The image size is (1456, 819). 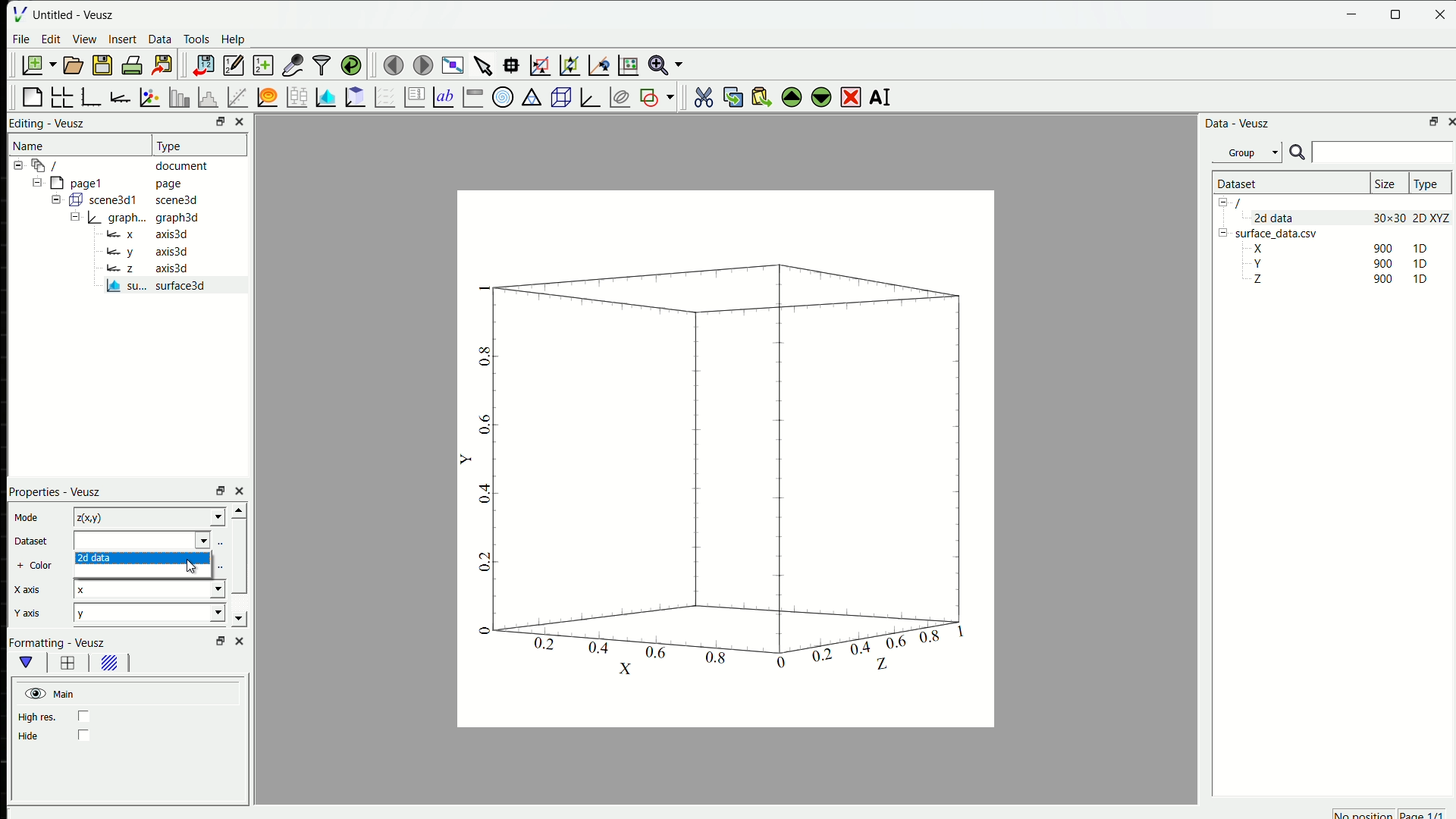 What do you see at coordinates (504, 96) in the screenshot?
I see `polar graph` at bounding box center [504, 96].